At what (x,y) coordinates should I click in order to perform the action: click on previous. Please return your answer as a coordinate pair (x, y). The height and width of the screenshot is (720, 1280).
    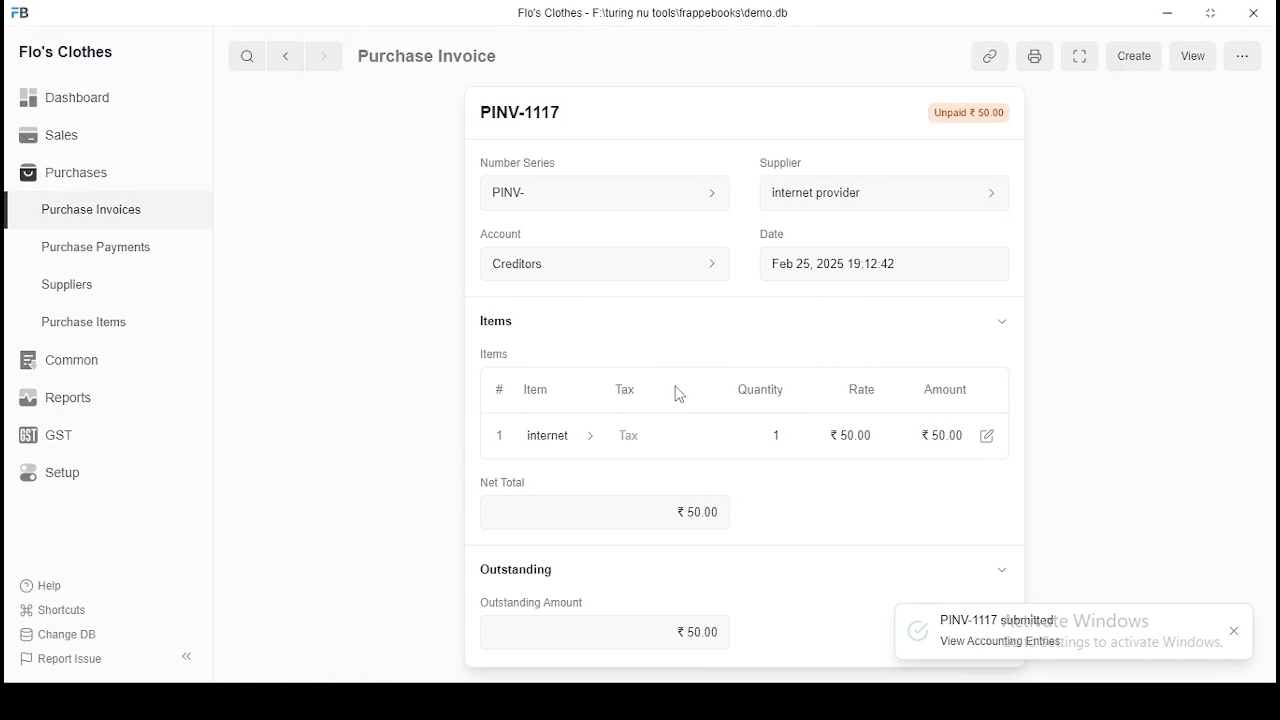
    Looking at the image, I should click on (287, 57).